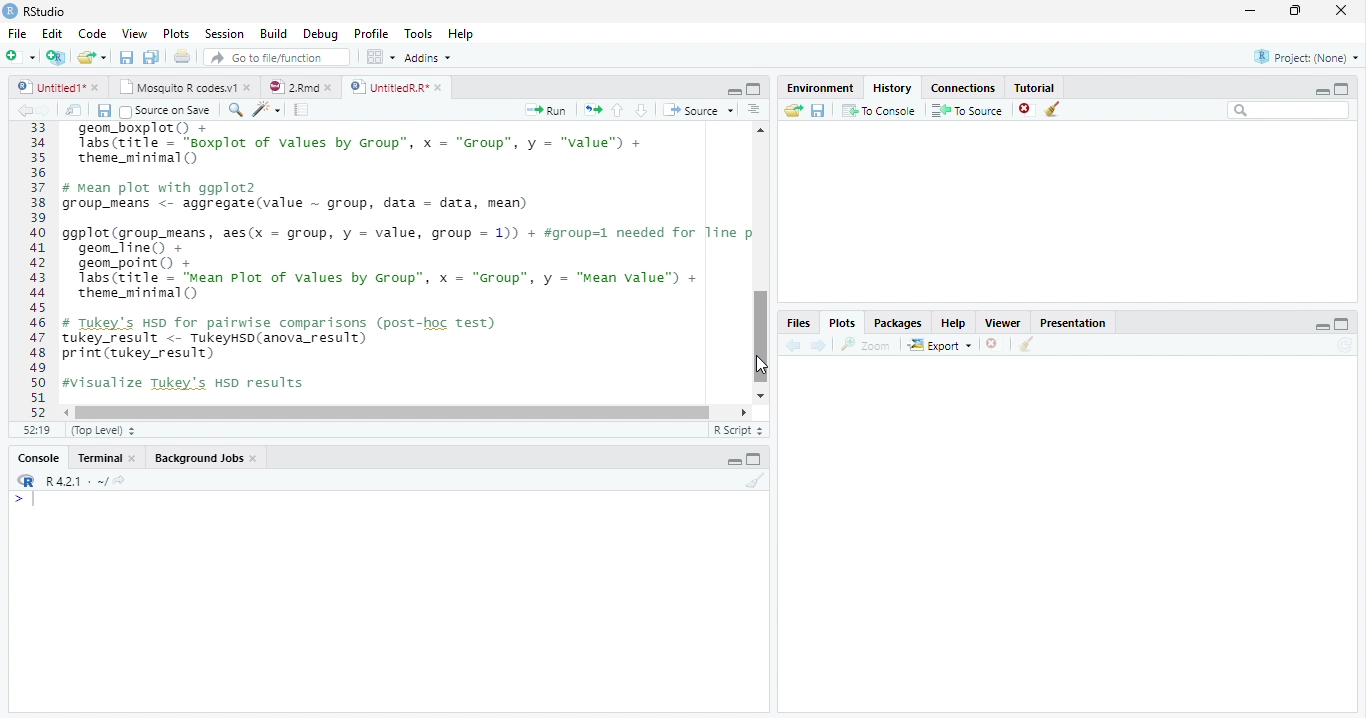 Image resolution: width=1366 pixels, height=718 pixels. What do you see at coordinates (90, 34) in the screenshot?
I see `Code` at bounding box center [90, 34].